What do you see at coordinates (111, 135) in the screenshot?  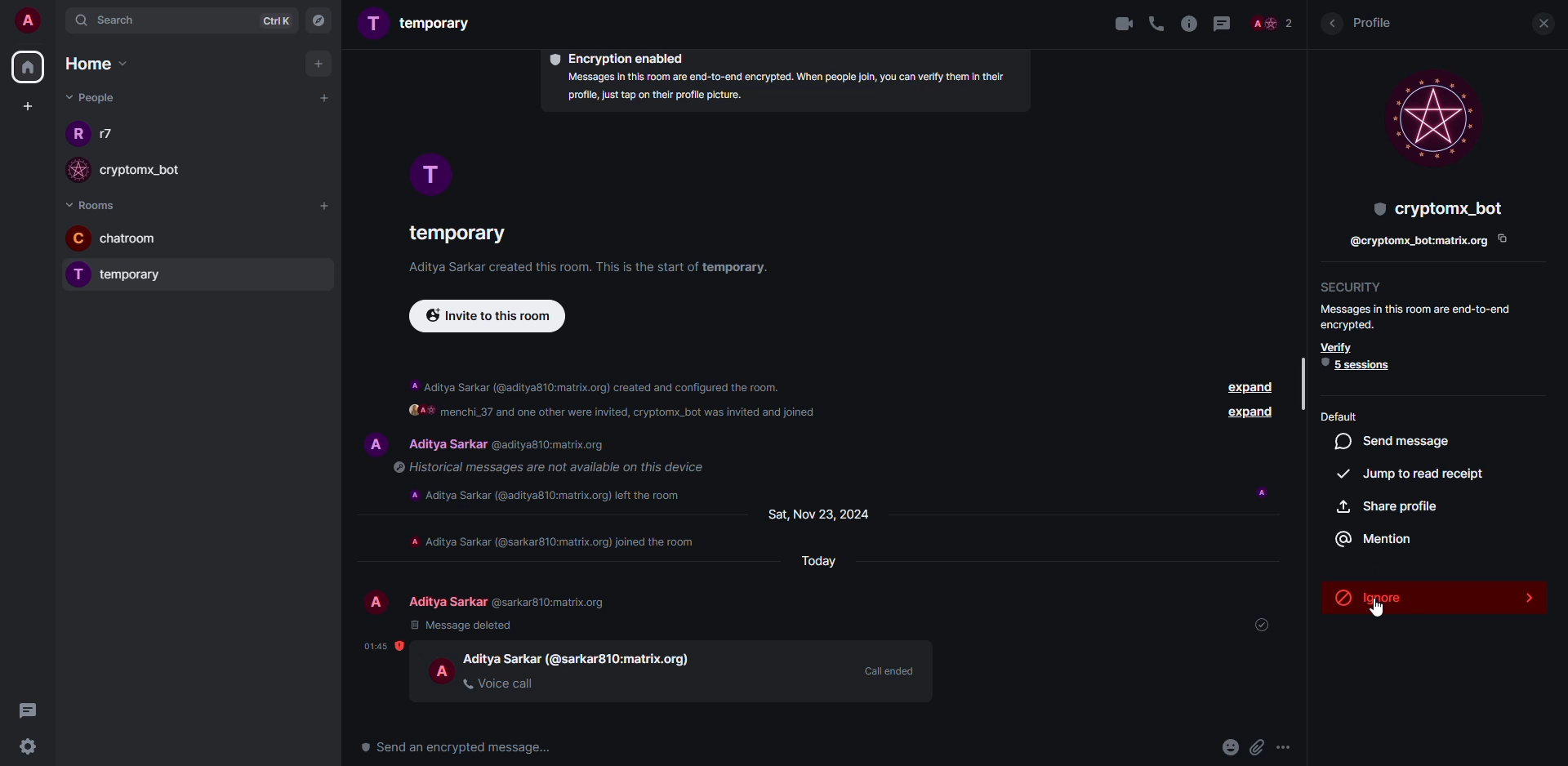 I see `people` at bounding box center [111, 135].